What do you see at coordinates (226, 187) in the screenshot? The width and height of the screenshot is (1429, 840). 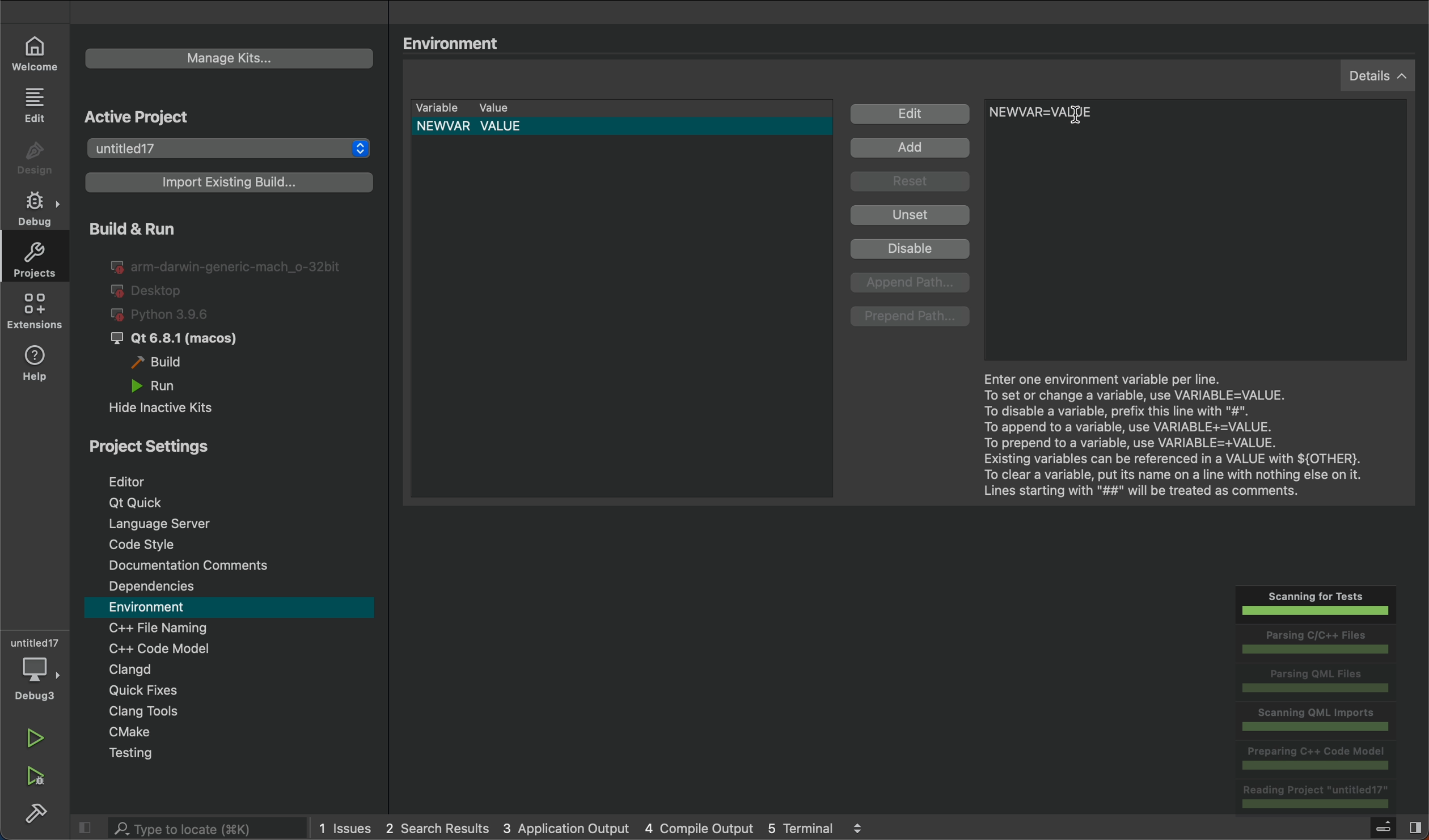 I see `import build` at bounding box center [226, 187].